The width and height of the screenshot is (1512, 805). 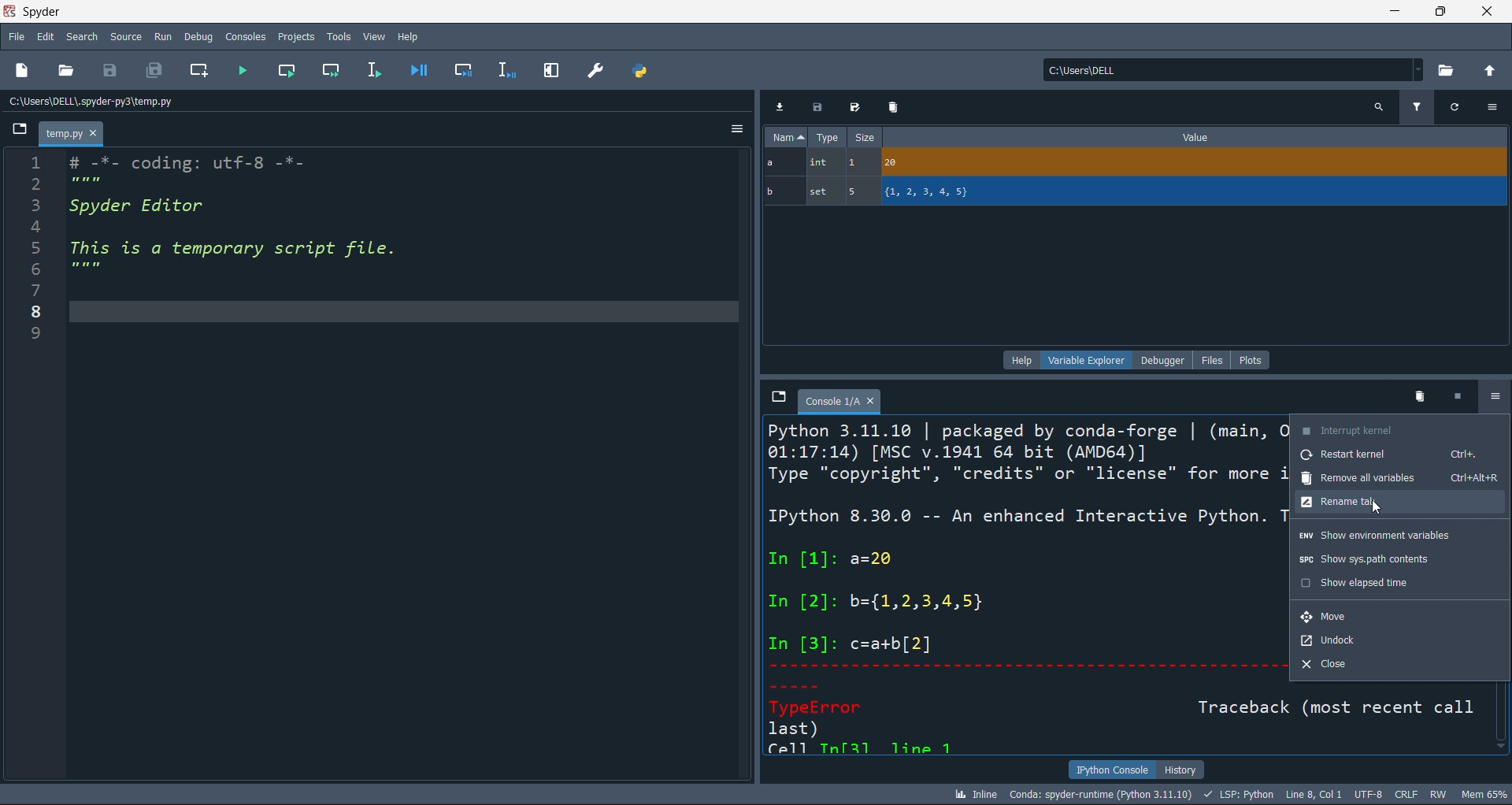 What do you see at coordinates (46, 39) in the screenshot?
I see `edit` at bounding box center [46, 39].